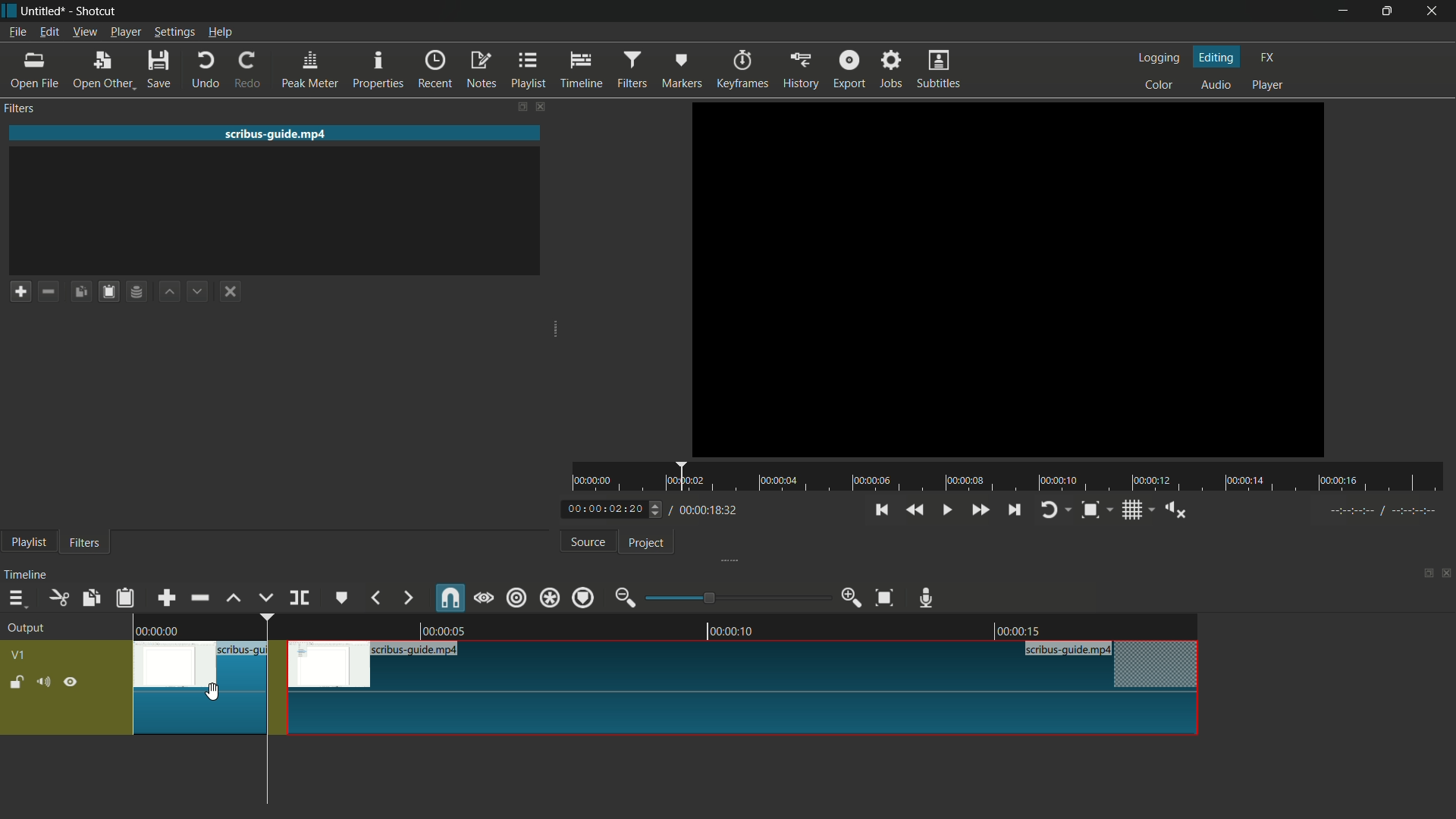  Describe the element at coordinates (885, 598) in the screenshot. I see `zoom timeline to fit` at that location.